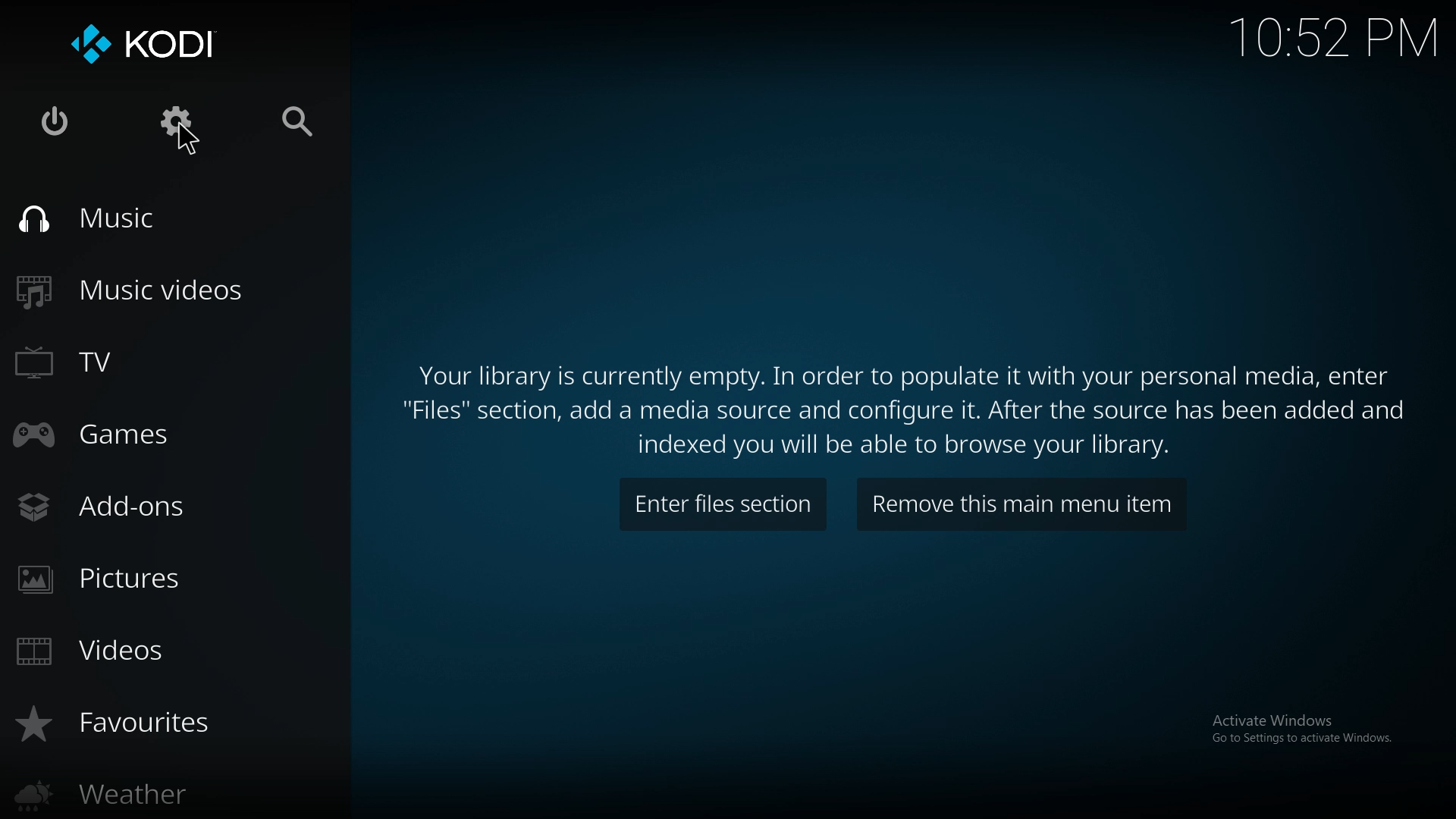  I want to click on favourites, so click(143, 724).